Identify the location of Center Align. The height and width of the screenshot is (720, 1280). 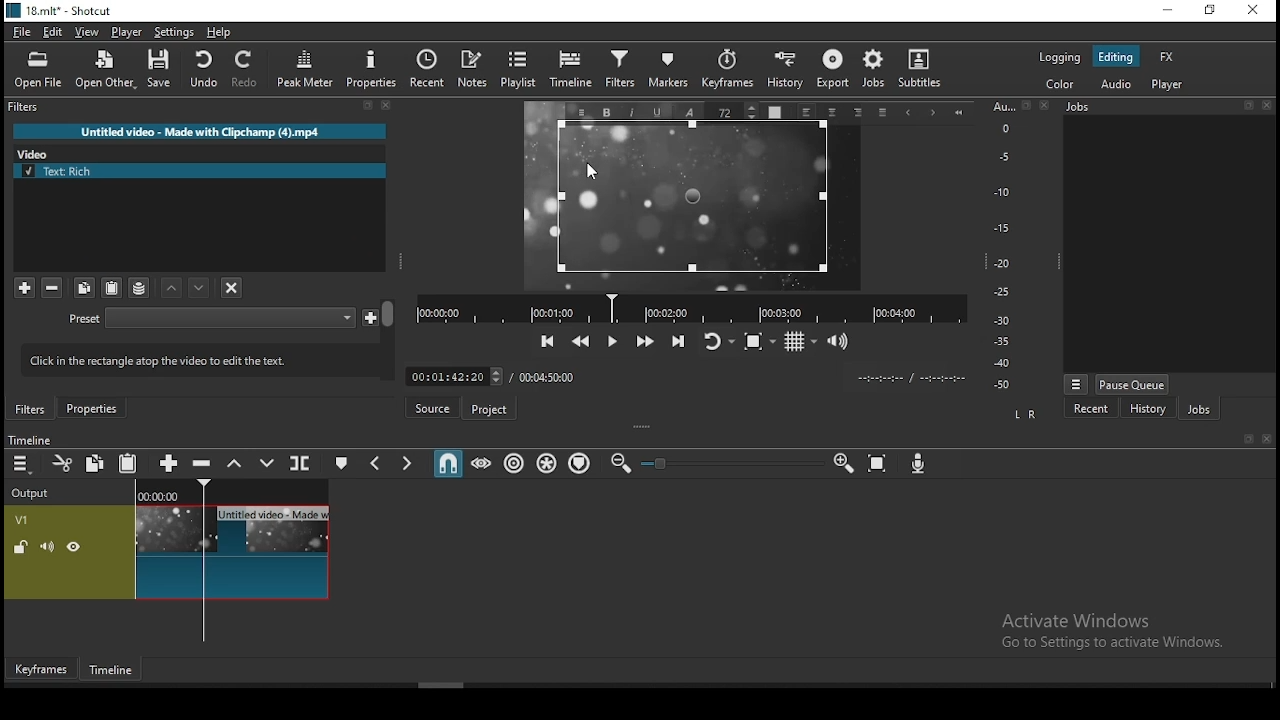
(834, 113).